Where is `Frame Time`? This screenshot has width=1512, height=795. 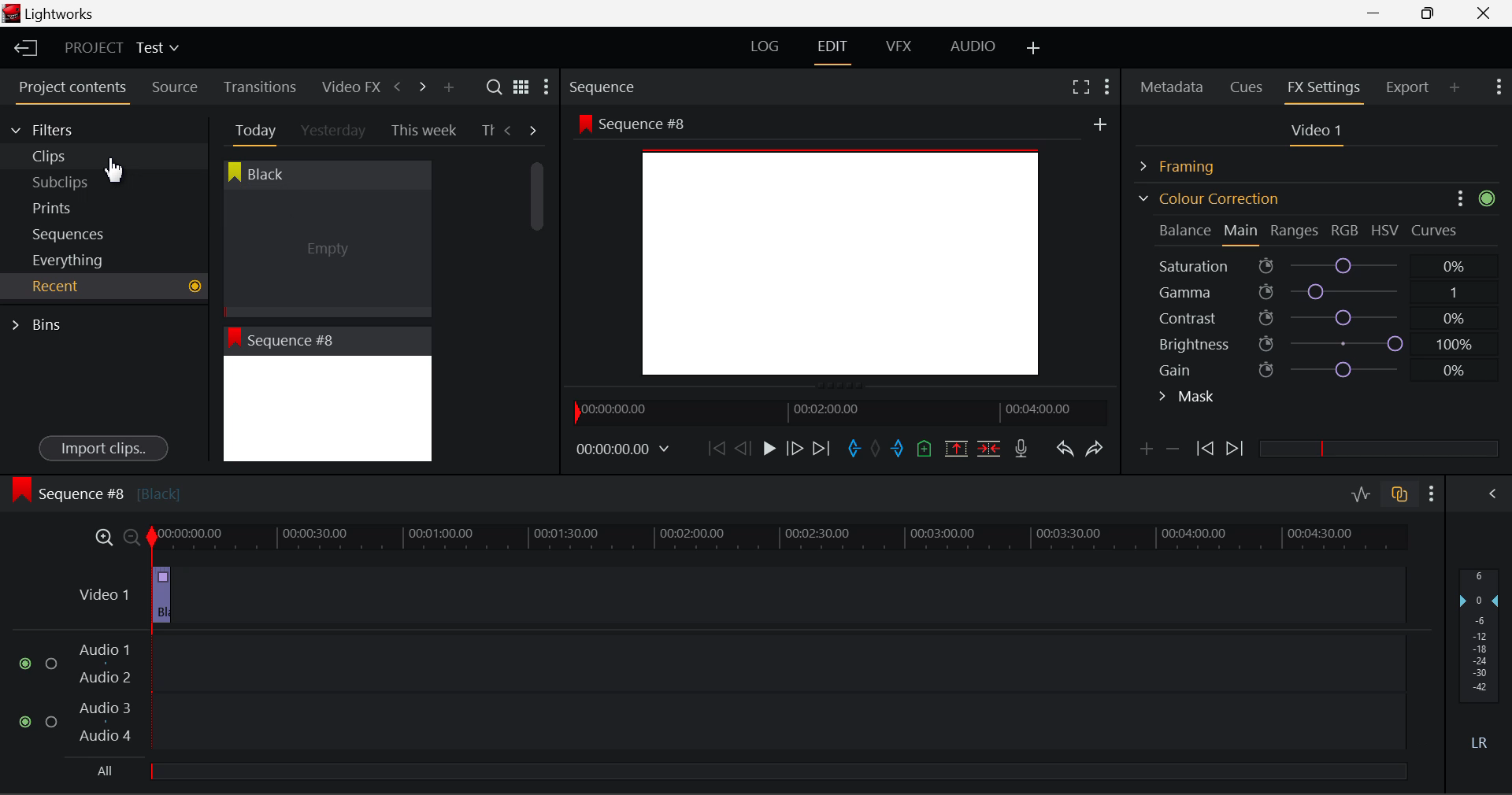
Frame Time is located at coordinates (624, 450).